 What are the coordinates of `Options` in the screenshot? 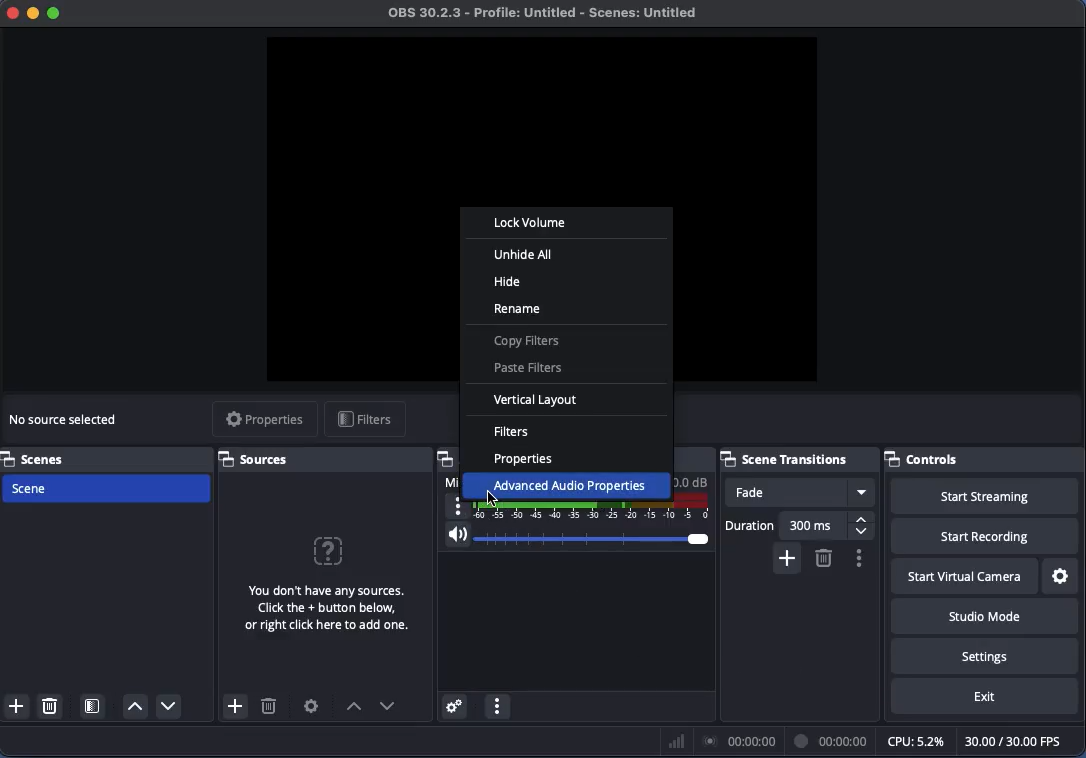 It's located at (858, 558).